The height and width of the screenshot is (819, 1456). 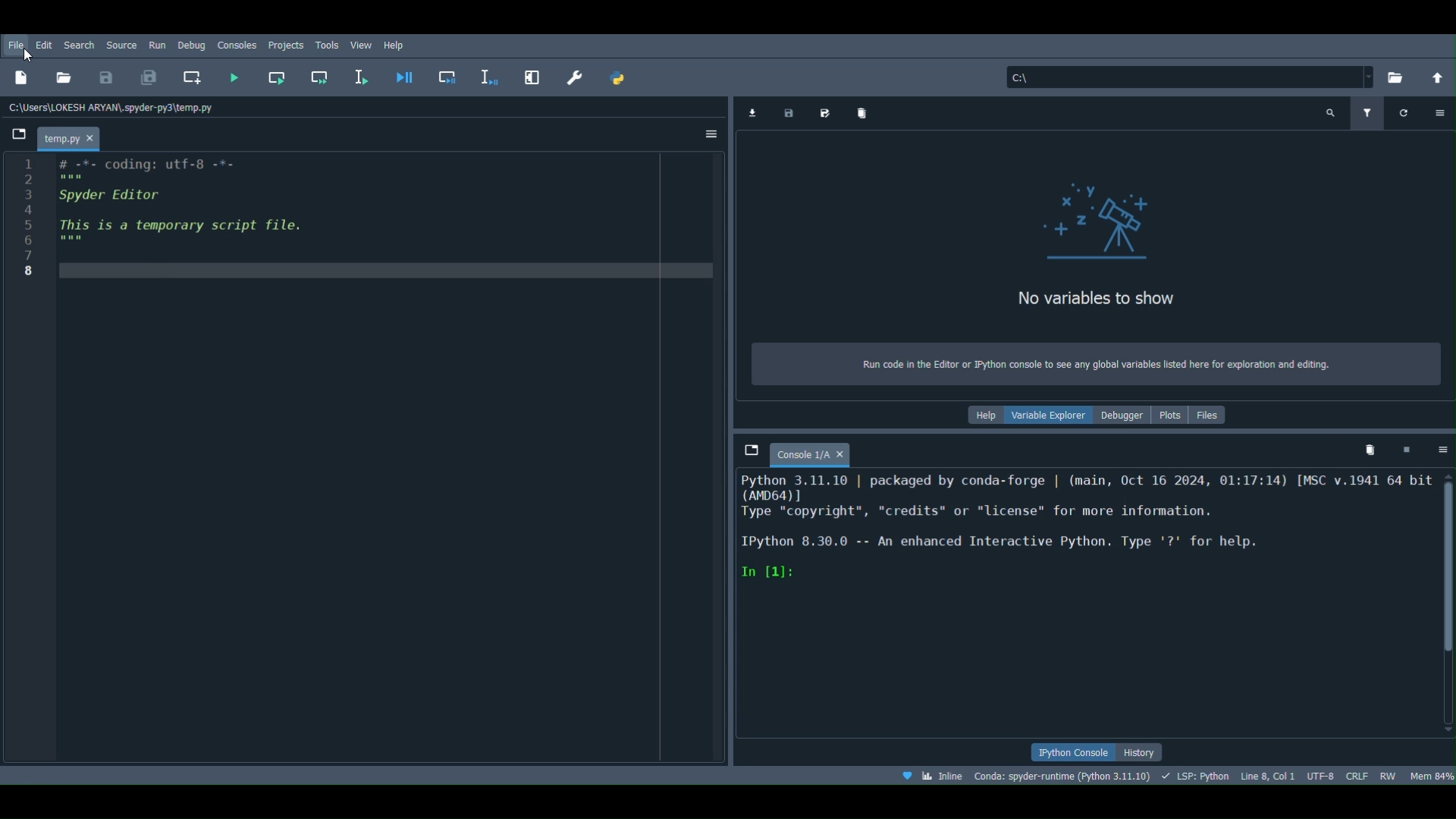 I want to click on Debug, so click(x=189, y=44).